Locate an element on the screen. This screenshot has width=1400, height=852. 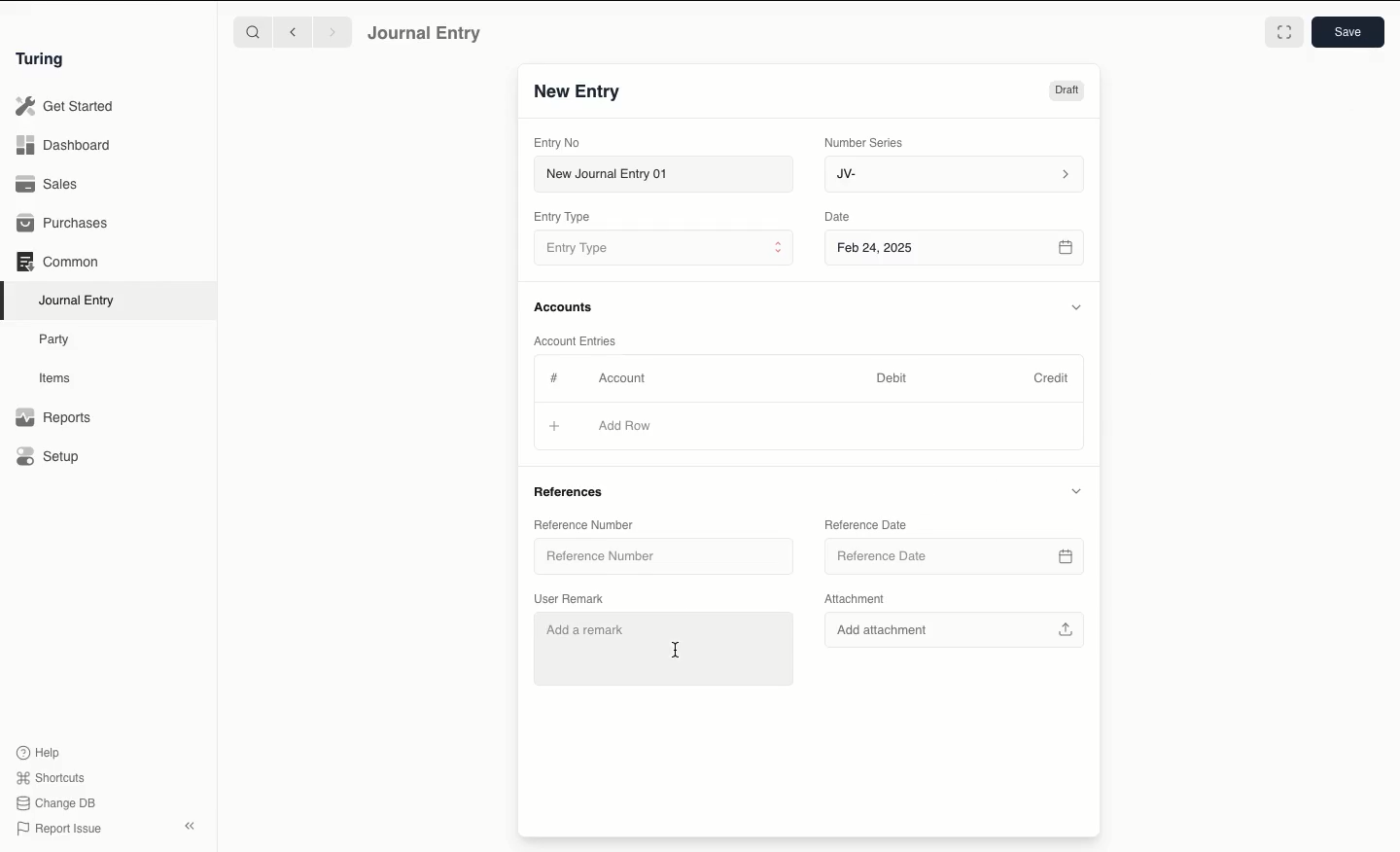
Entry No is located at coordinates (557, 143).